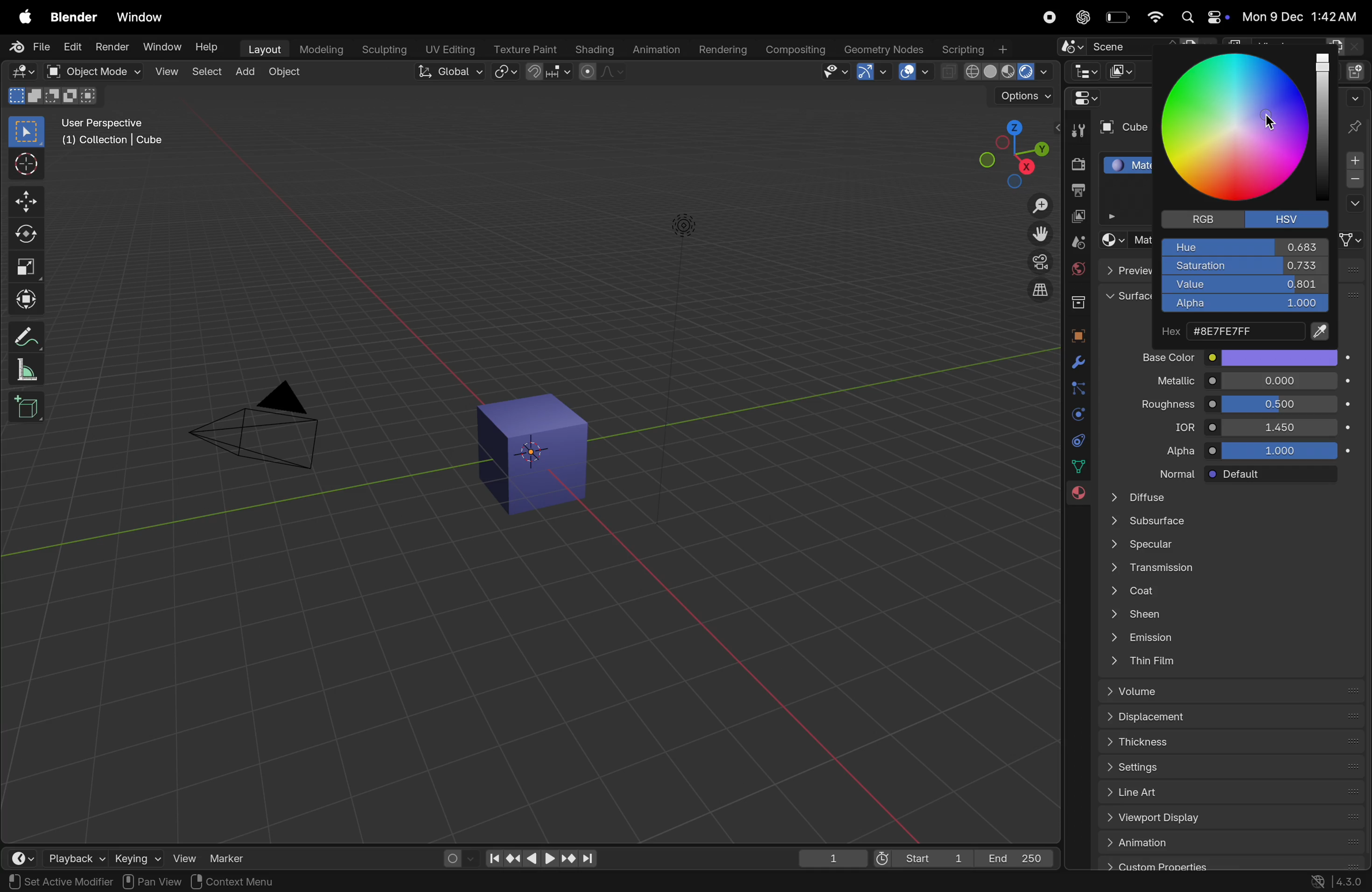  What do you see at coordinates (1158, 406) in the screenshot?
I see `roughness` at bounding box center [1158, 406].